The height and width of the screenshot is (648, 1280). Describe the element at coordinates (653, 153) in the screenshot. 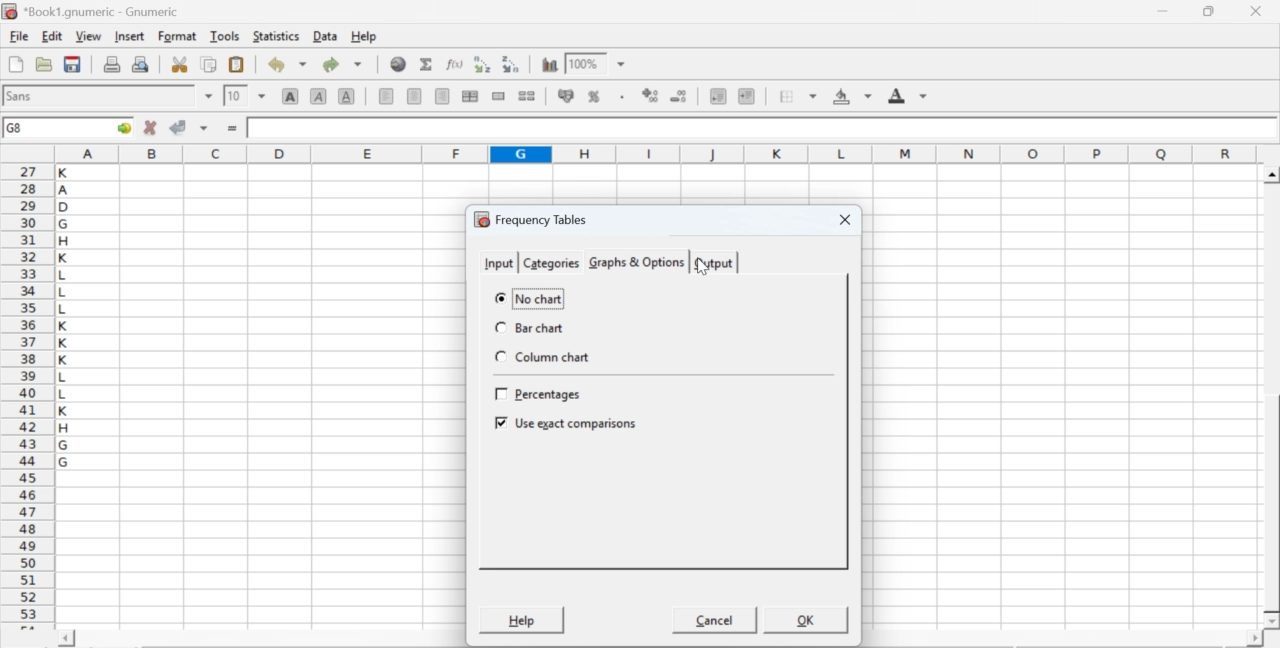

I see `column names` at that location.